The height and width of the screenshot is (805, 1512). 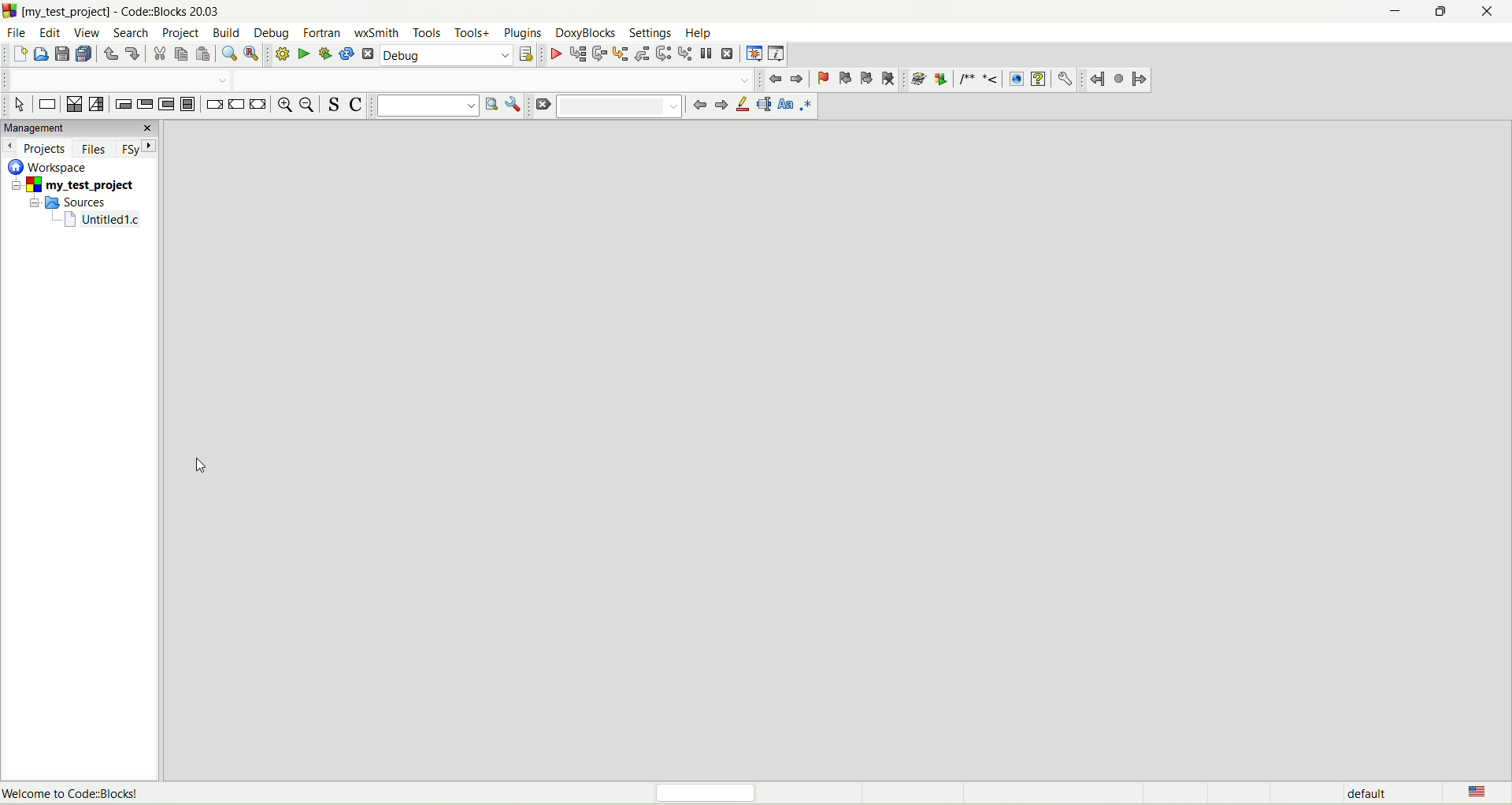 What do you see at coordinates (323, 33) in the screenshot?
I see `fortran` at bounding box center [323, 33].